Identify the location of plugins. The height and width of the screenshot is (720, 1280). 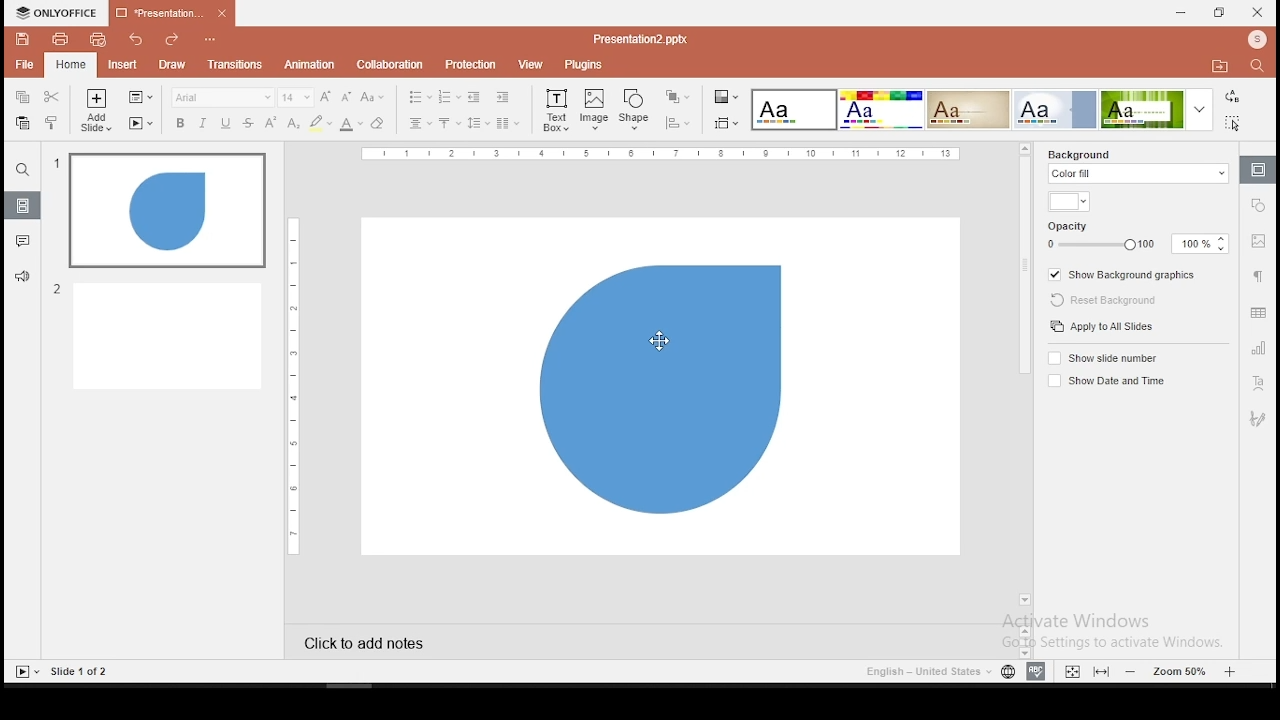
(584, 64).